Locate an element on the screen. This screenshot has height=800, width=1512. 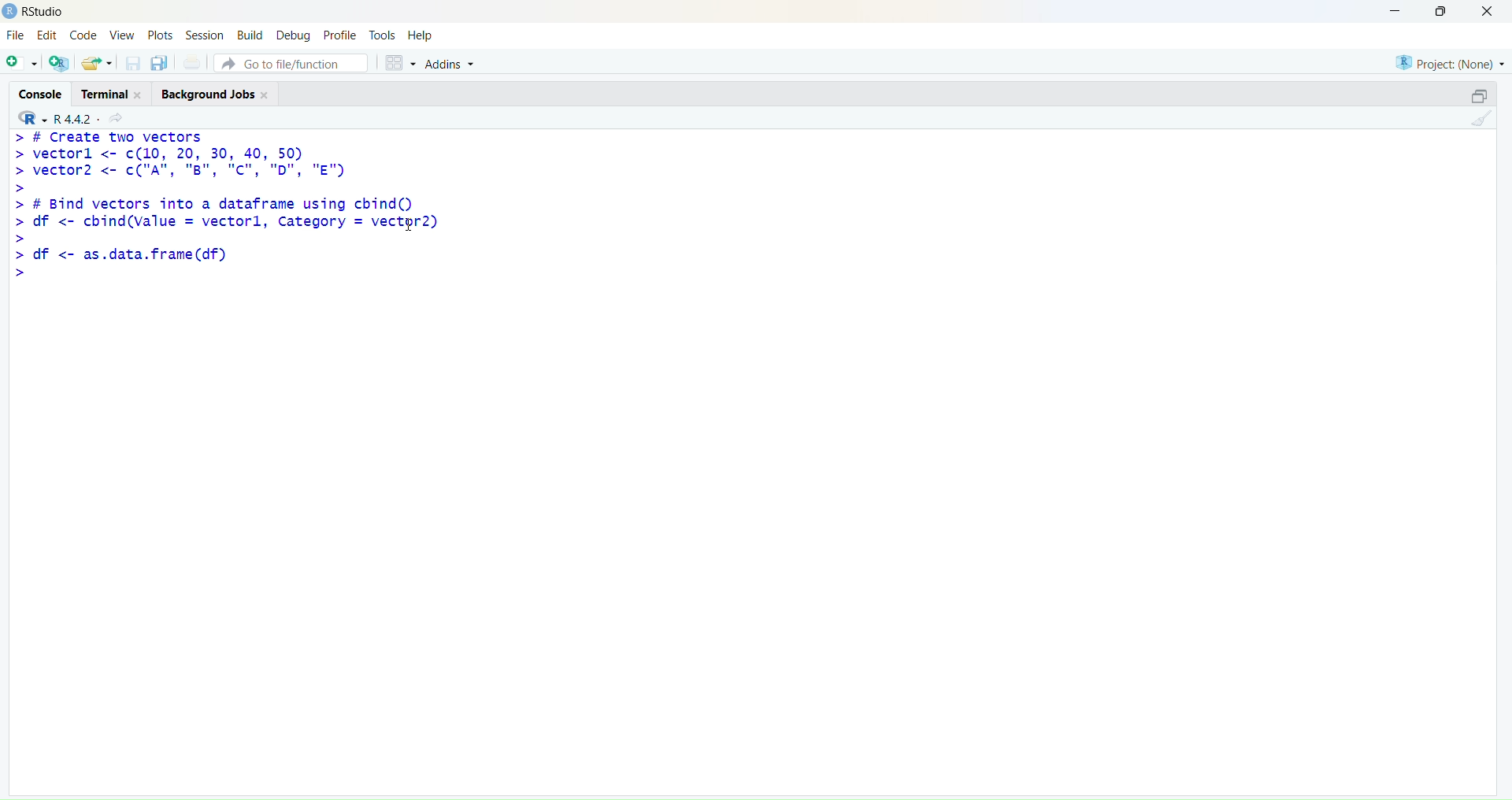
Background Jobs is located at coordinates (214, 94).